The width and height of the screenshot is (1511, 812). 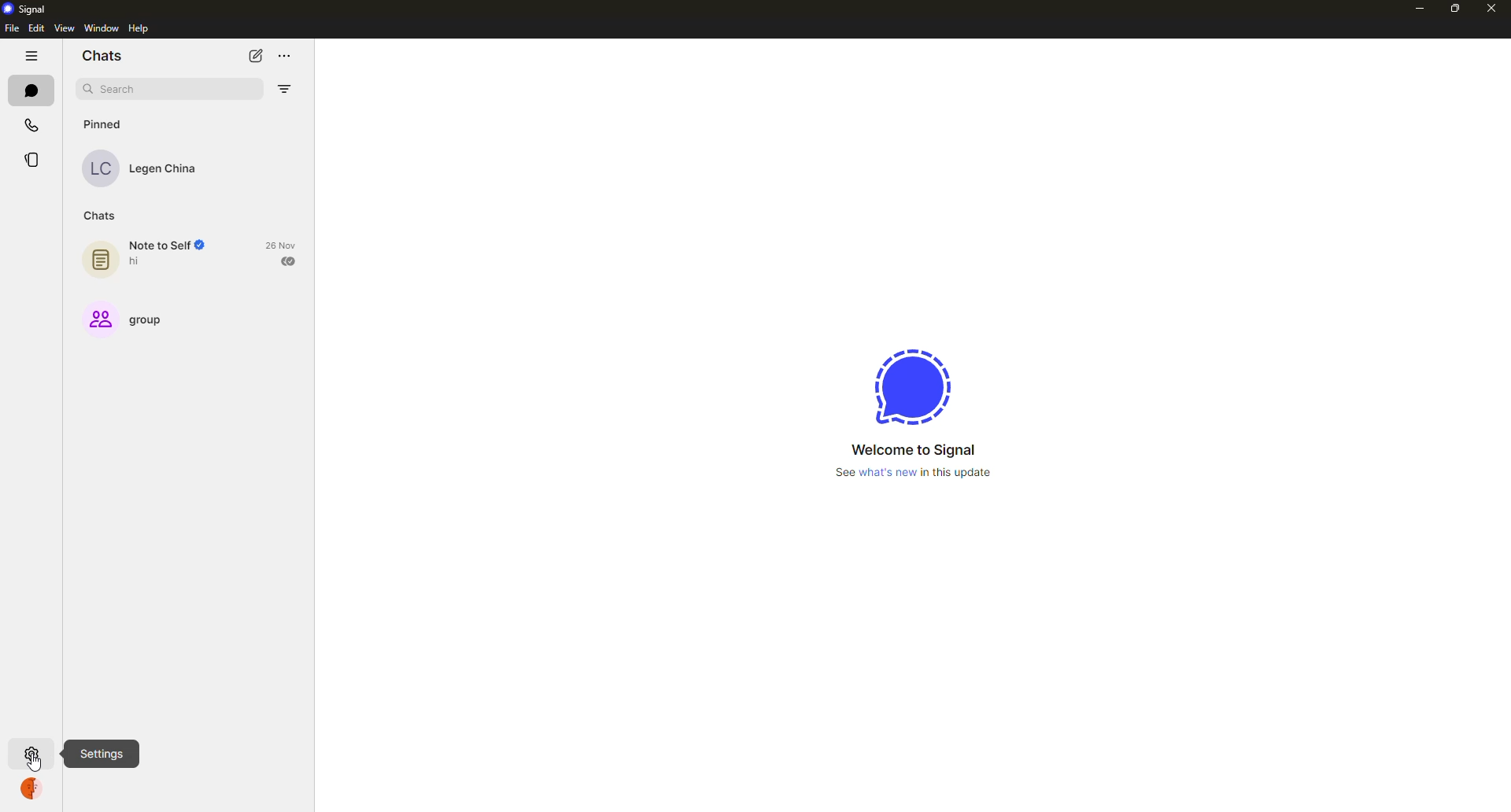 I want to click on window, so click(x=99, y=29).